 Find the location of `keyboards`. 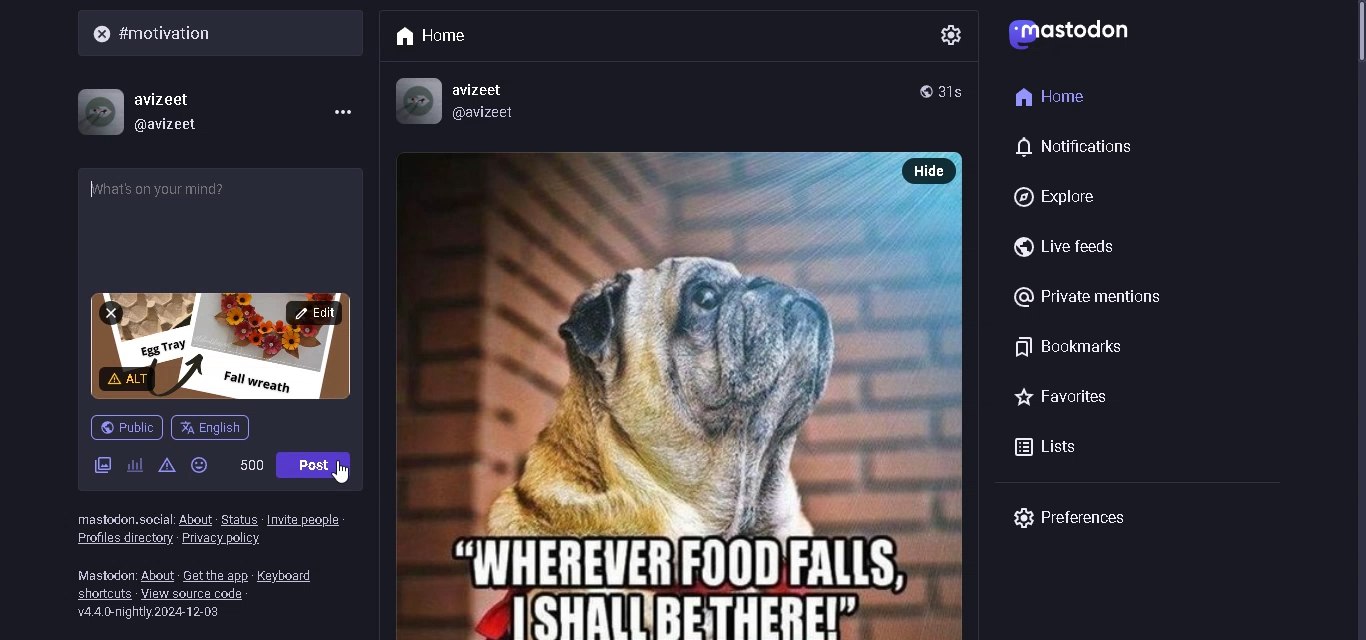

keyboards is located at coordinates (291, 573).